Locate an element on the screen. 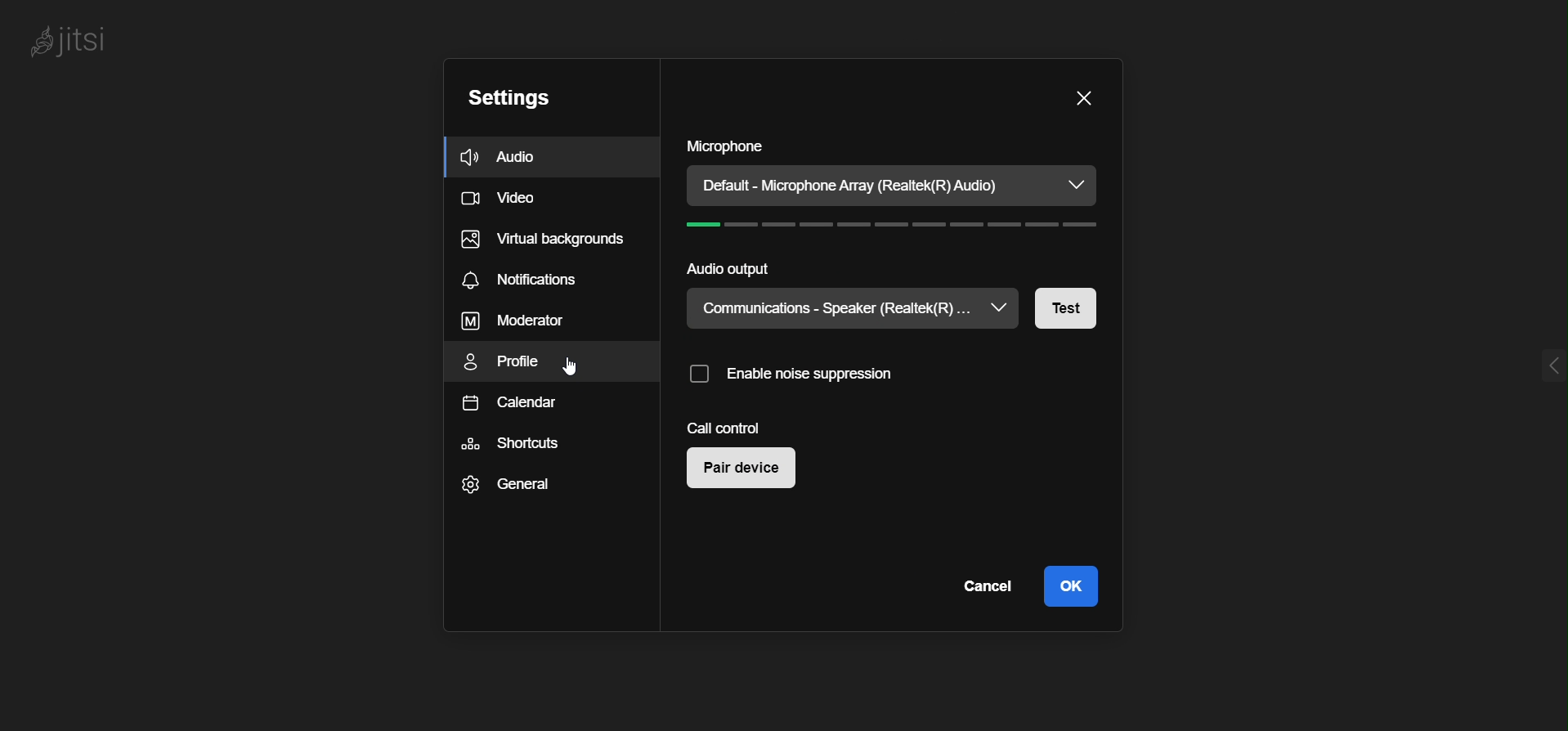 This screenshot has width=1568, height=731. microphone is located at coordinates (729, 146).